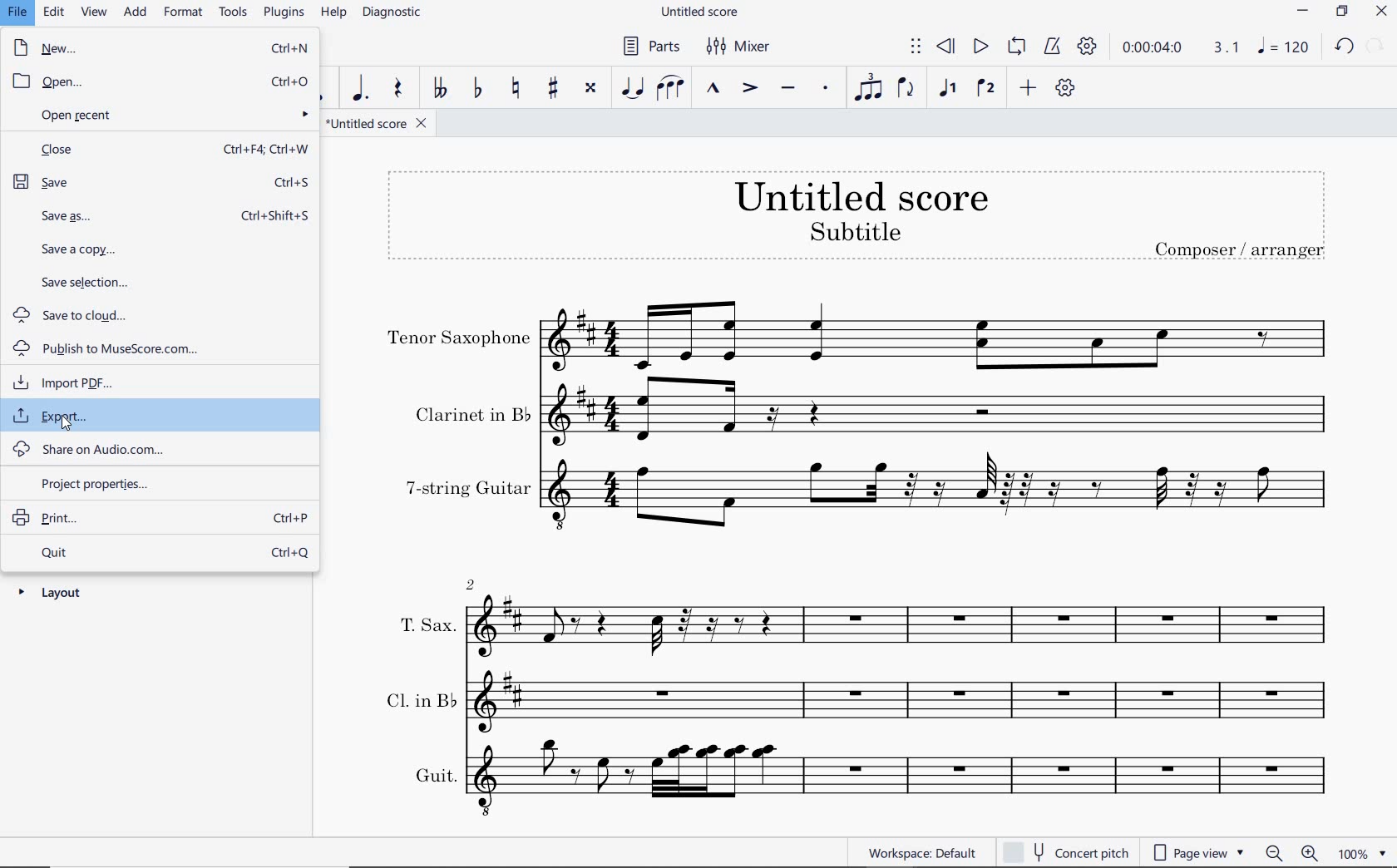 Image resolution: width=1397 pixels, height=868 pixels. I want to click on TOGGLE FLAT, so click(476, 89).